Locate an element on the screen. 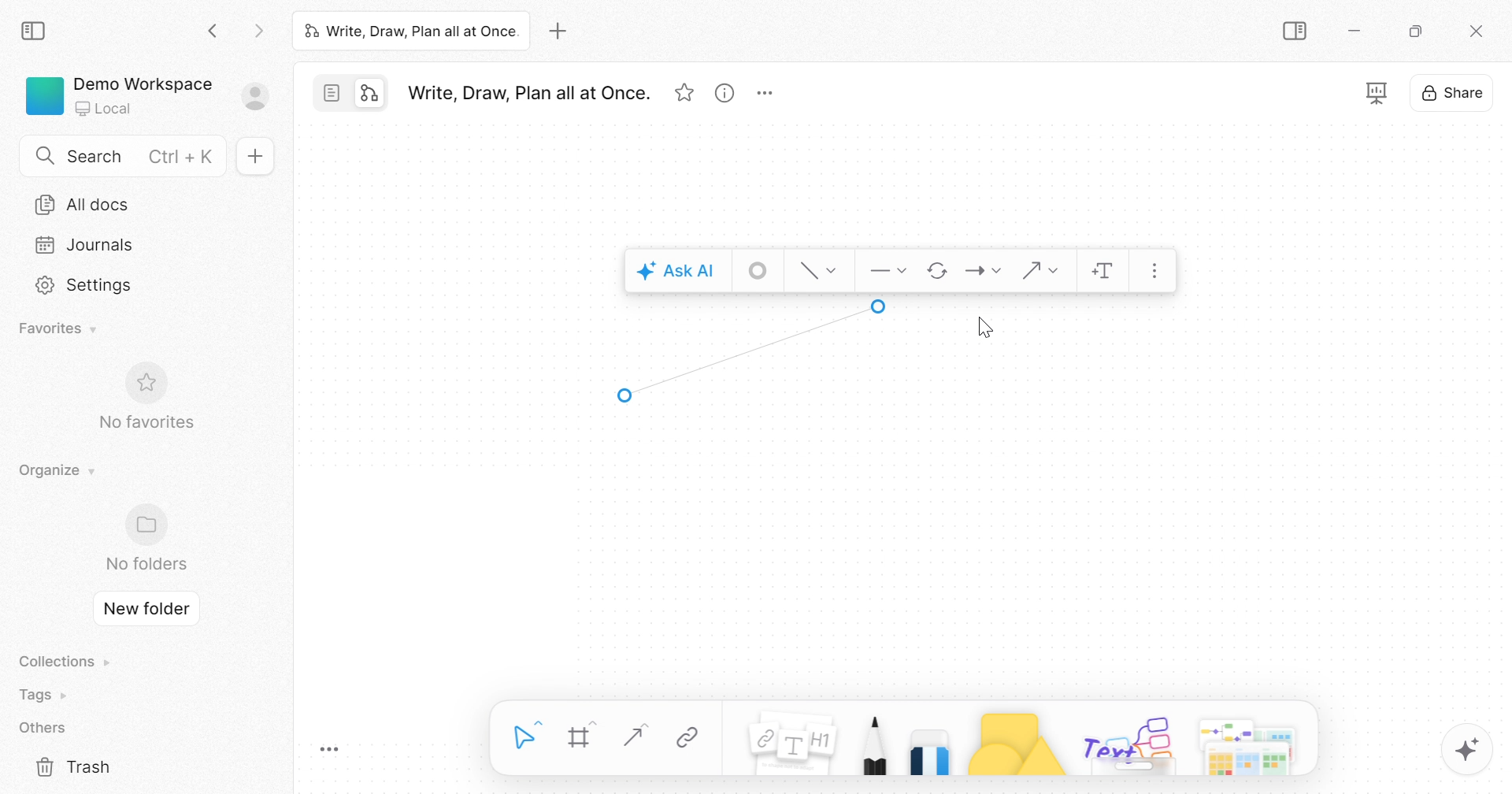 The height and width of the screenshot is (794, 1512). Back is located at coordinates (213, 33).